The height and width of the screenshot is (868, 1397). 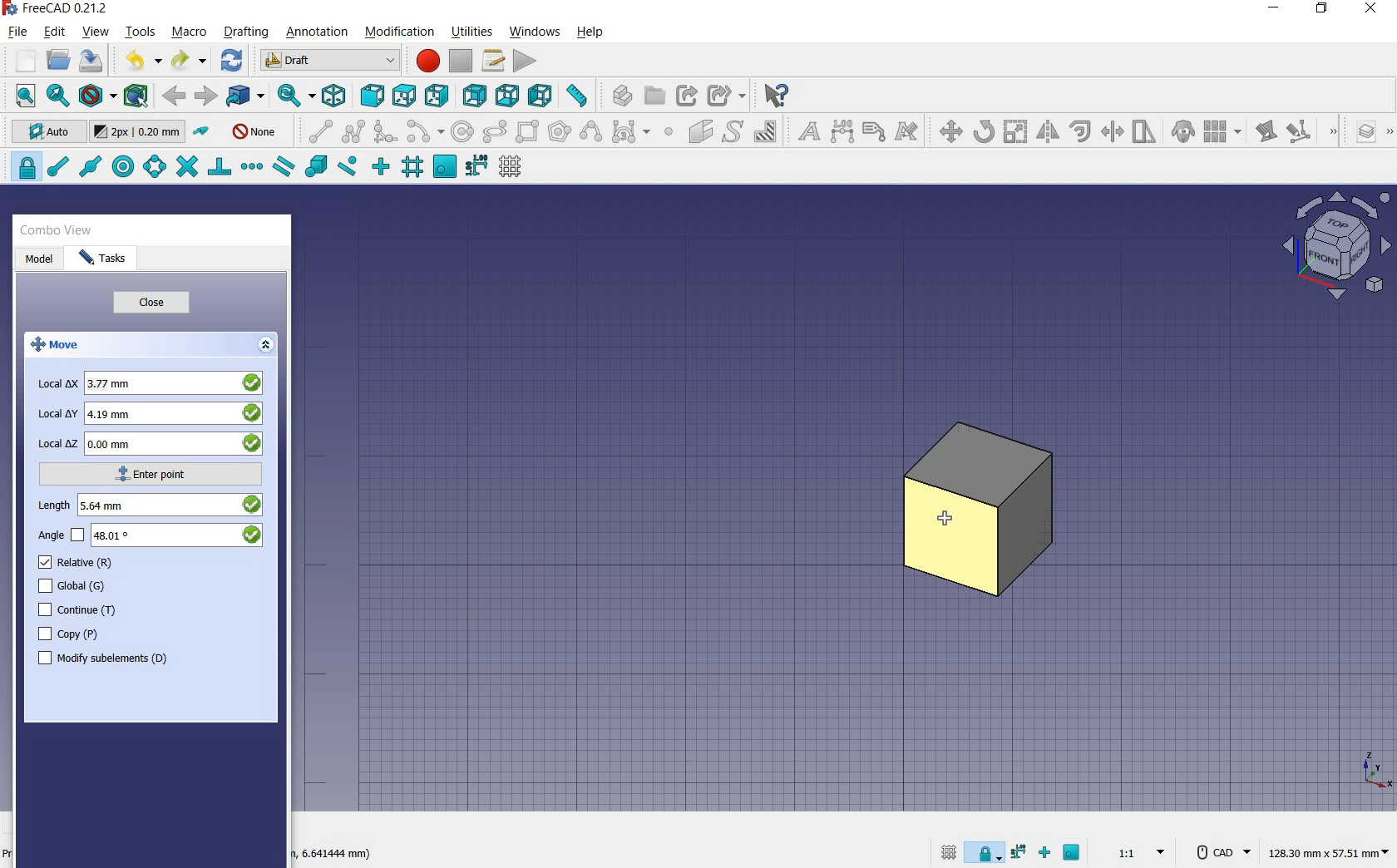 I want to click on polygon, so click(x=560, y=132).